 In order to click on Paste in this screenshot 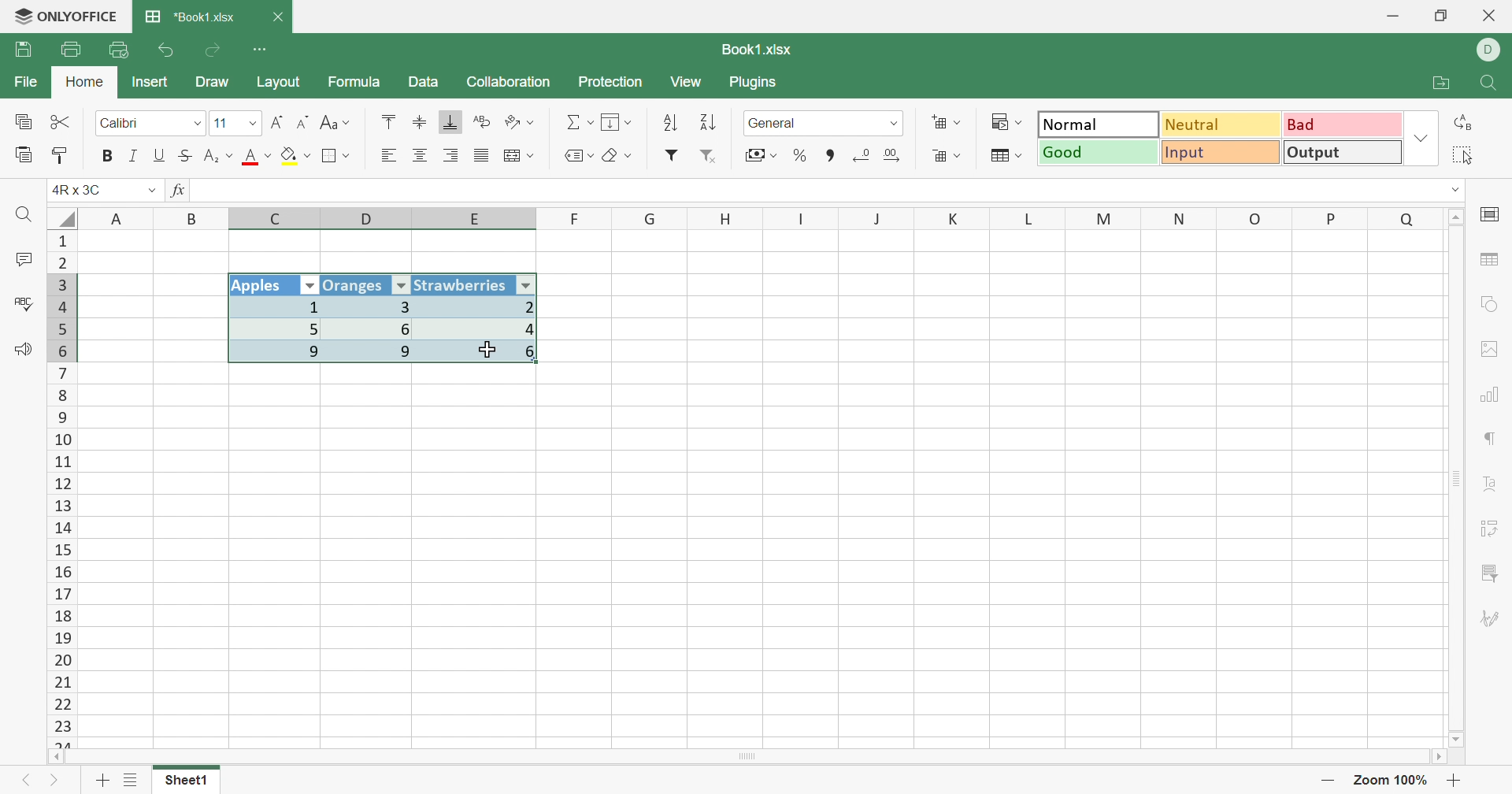, I will do `click(24, 155)`.